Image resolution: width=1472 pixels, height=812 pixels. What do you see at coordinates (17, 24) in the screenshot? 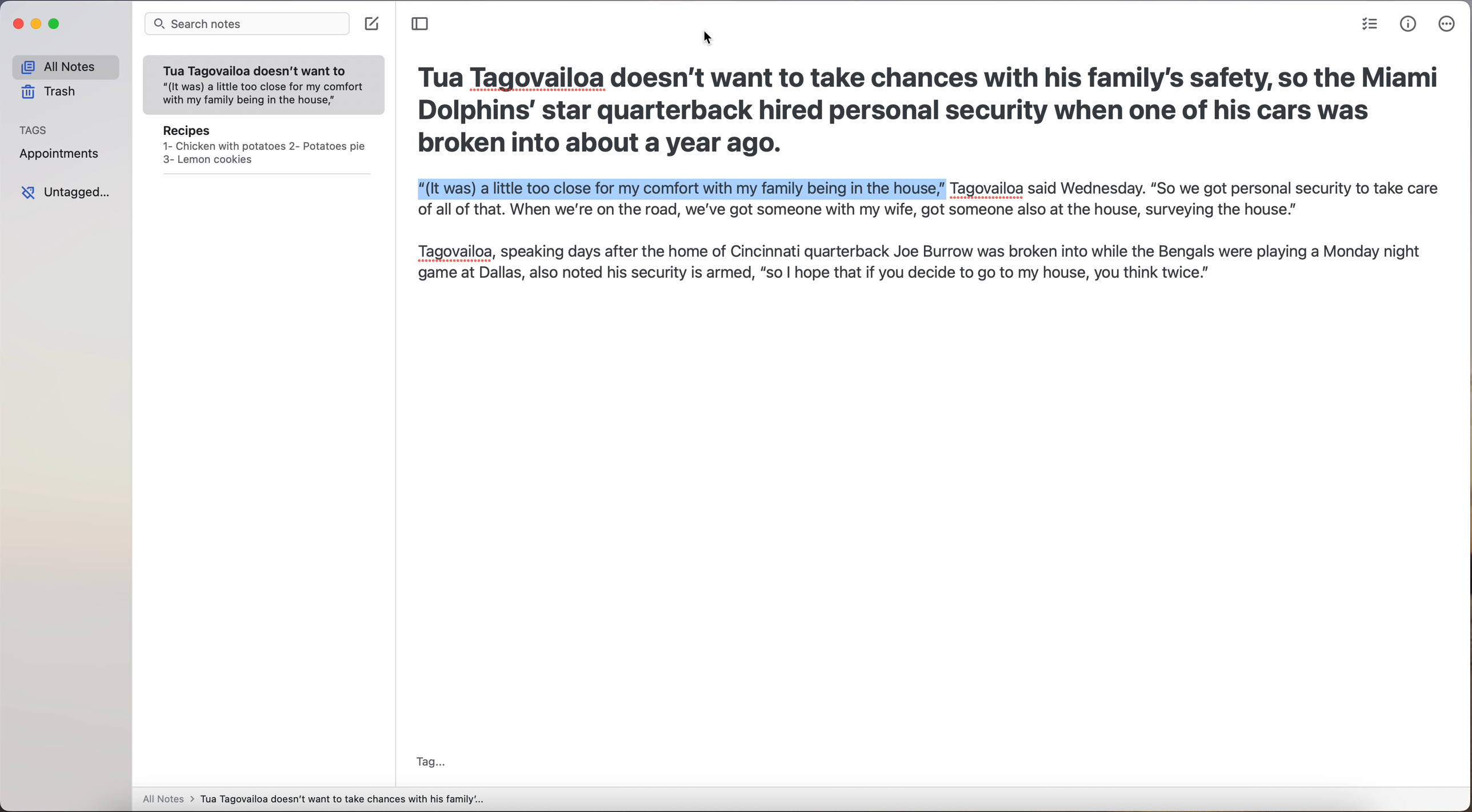
I see `close Simplenote` at bounding box center [17, 24].